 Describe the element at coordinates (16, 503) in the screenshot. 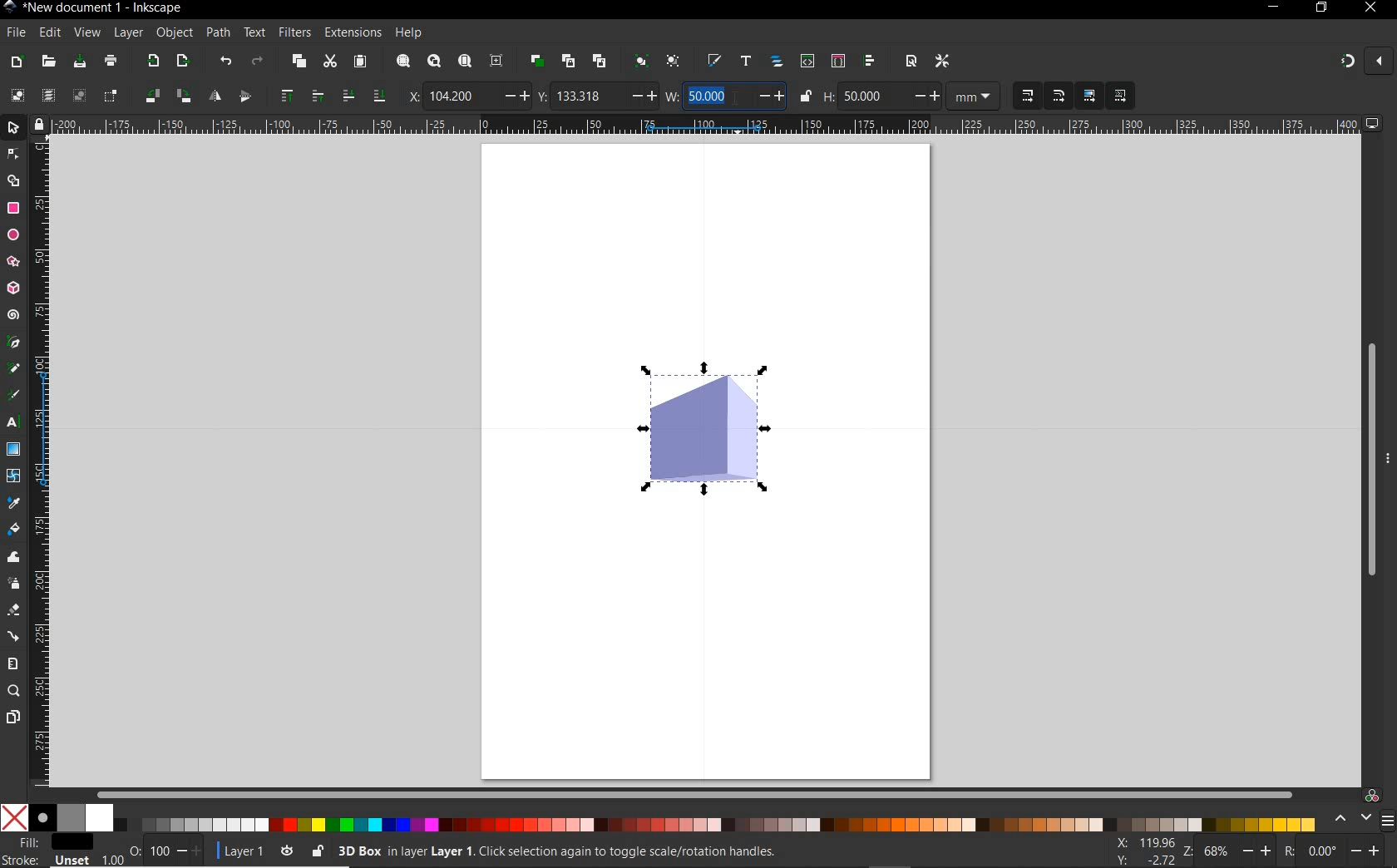

I see `dropper tool` at that location.